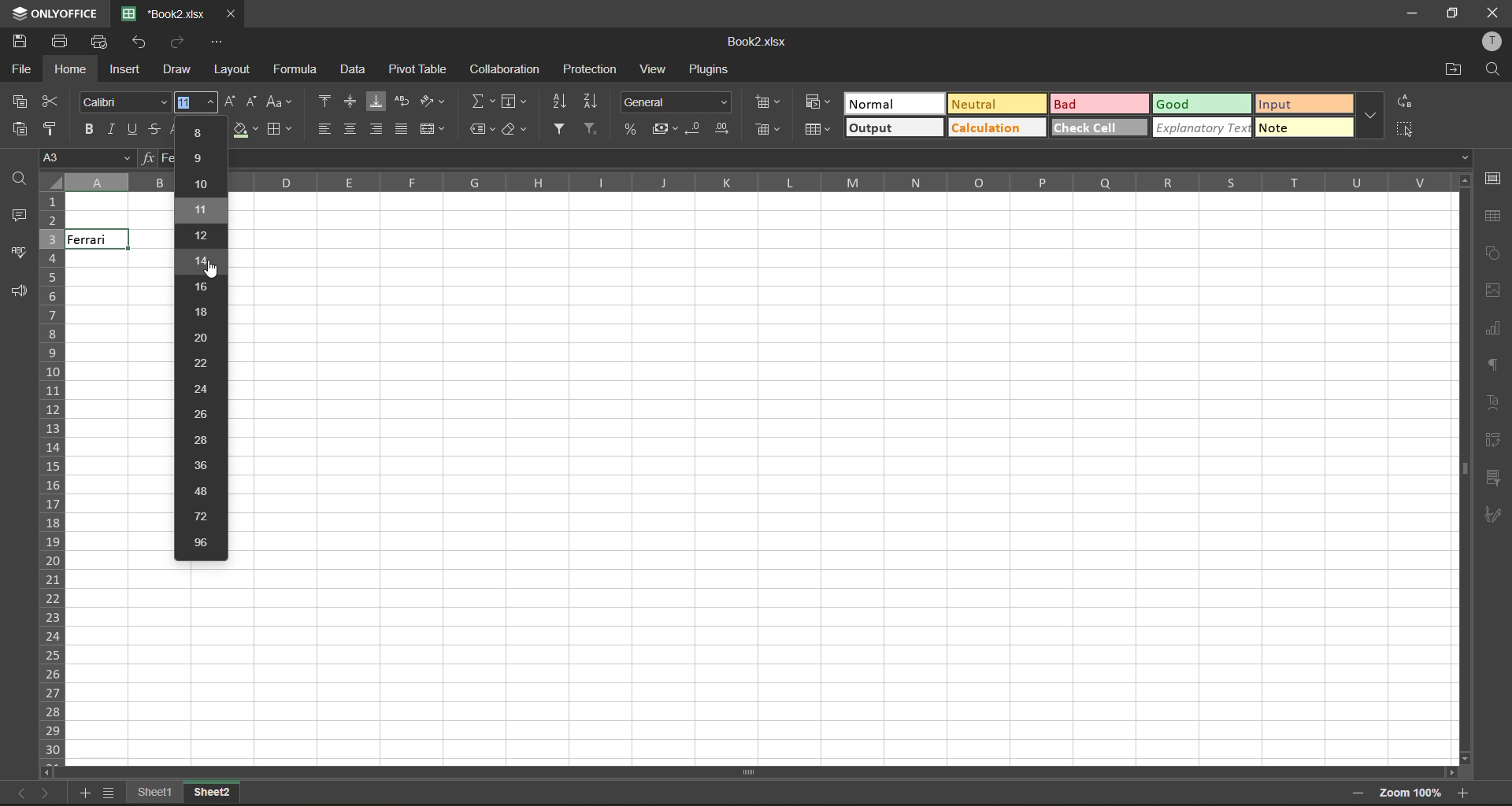 The width and height of the screenshot is (1512, 806). I want to click on profile, so click(1494, 42).